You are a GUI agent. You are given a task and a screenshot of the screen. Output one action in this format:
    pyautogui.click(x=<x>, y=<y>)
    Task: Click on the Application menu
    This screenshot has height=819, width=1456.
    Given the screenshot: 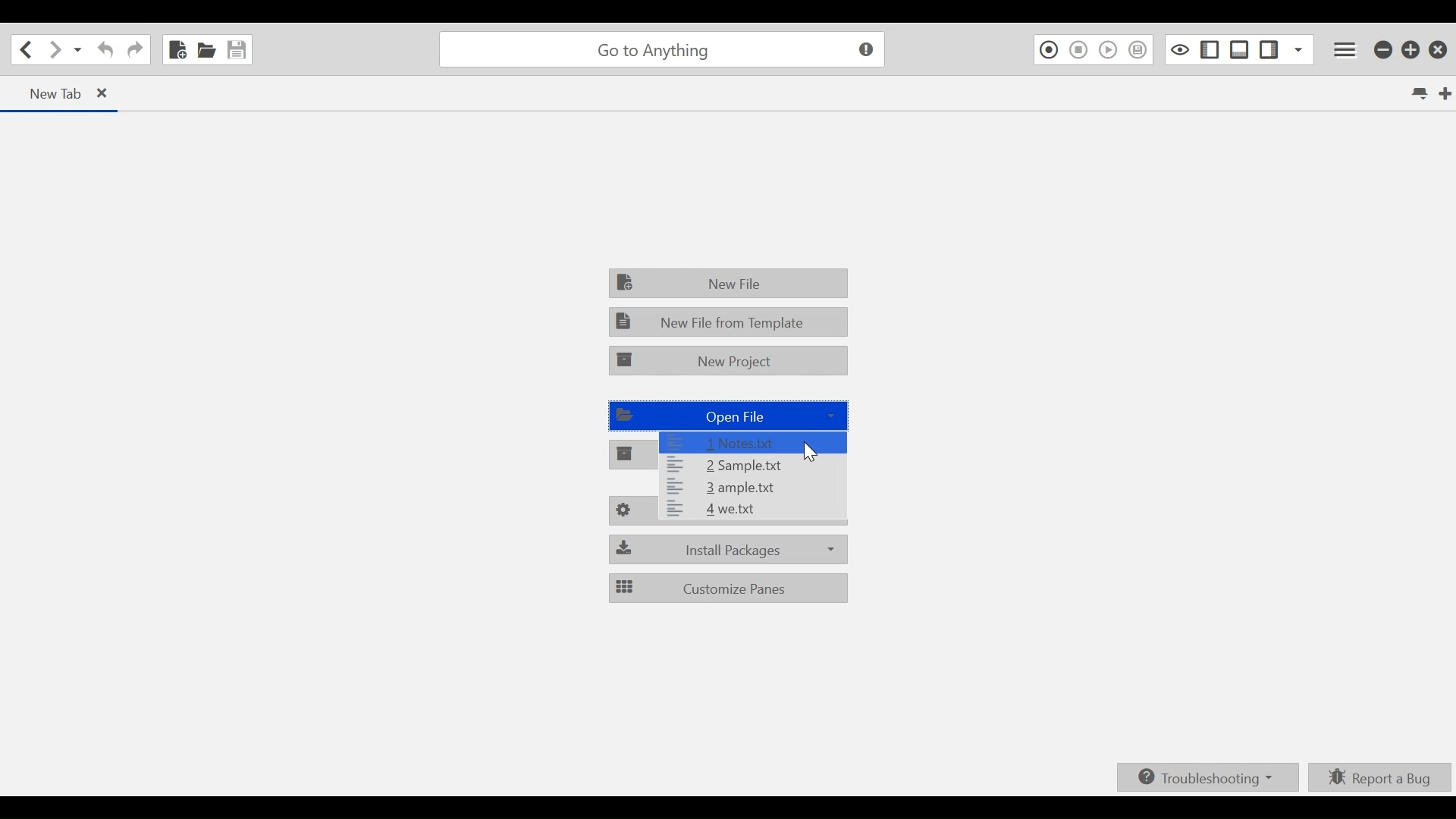 What is the action you would take?
    pyautogui.click(x=1347, y=50)
    